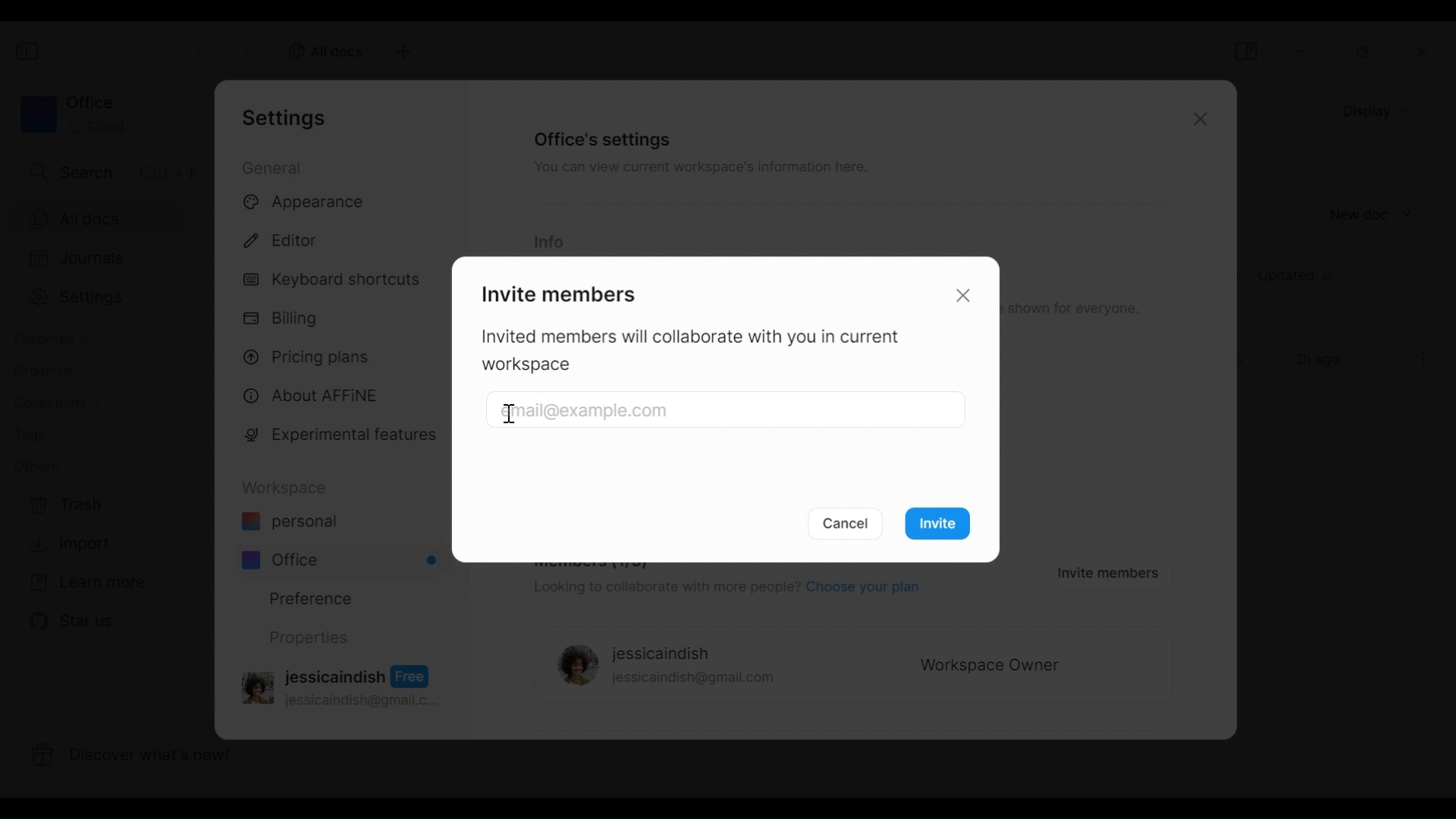  I want to click on Go back, so click(203, 49).